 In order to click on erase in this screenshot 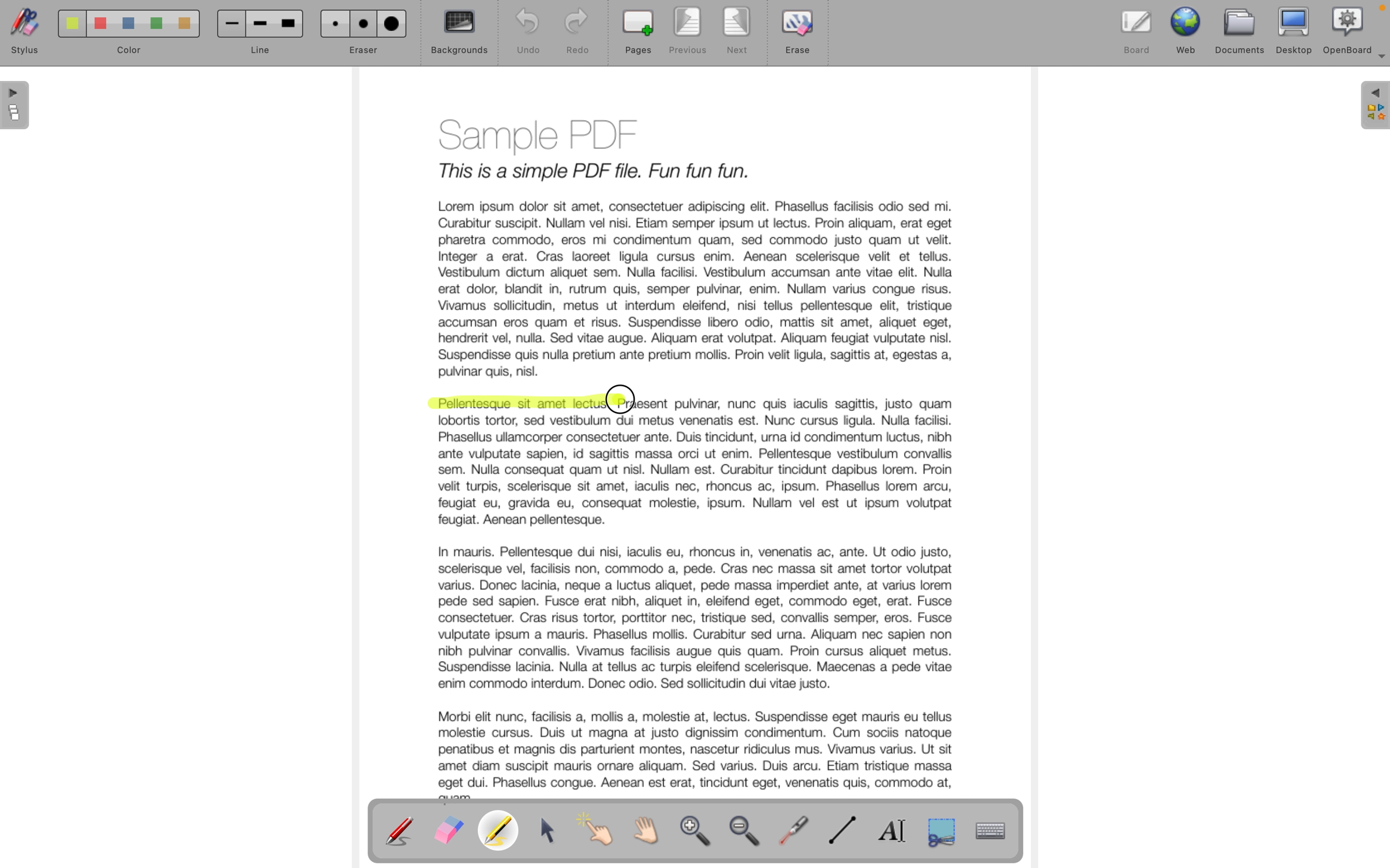, I will do `click(800, 38)`.